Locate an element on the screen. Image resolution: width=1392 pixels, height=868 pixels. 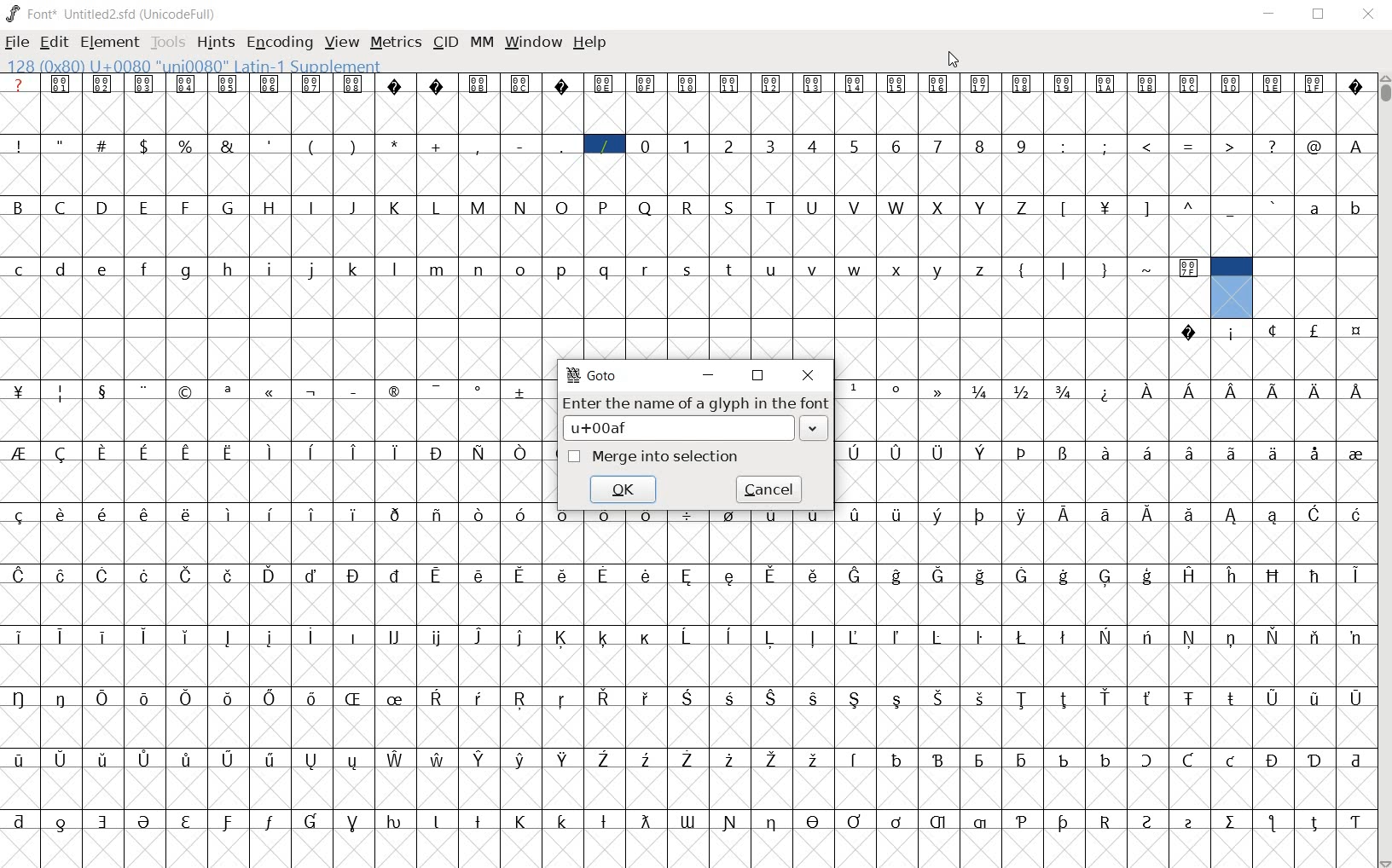
Symbol is located at coordinates (1232, 389).